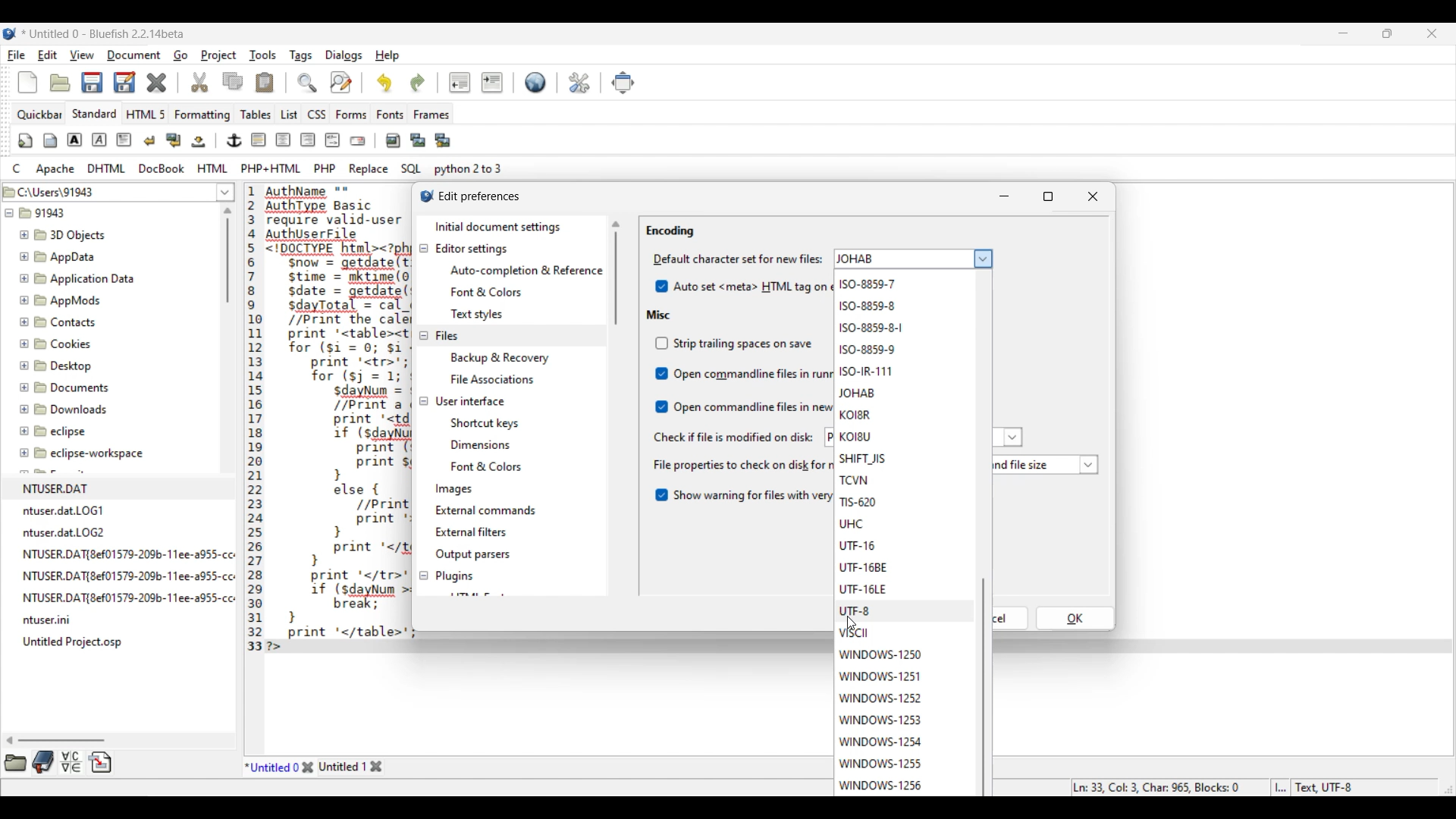  What do you see at coordinates (526, 293) in the screenshot?
I see `Editor setting options` at bounding box center [526, 293].